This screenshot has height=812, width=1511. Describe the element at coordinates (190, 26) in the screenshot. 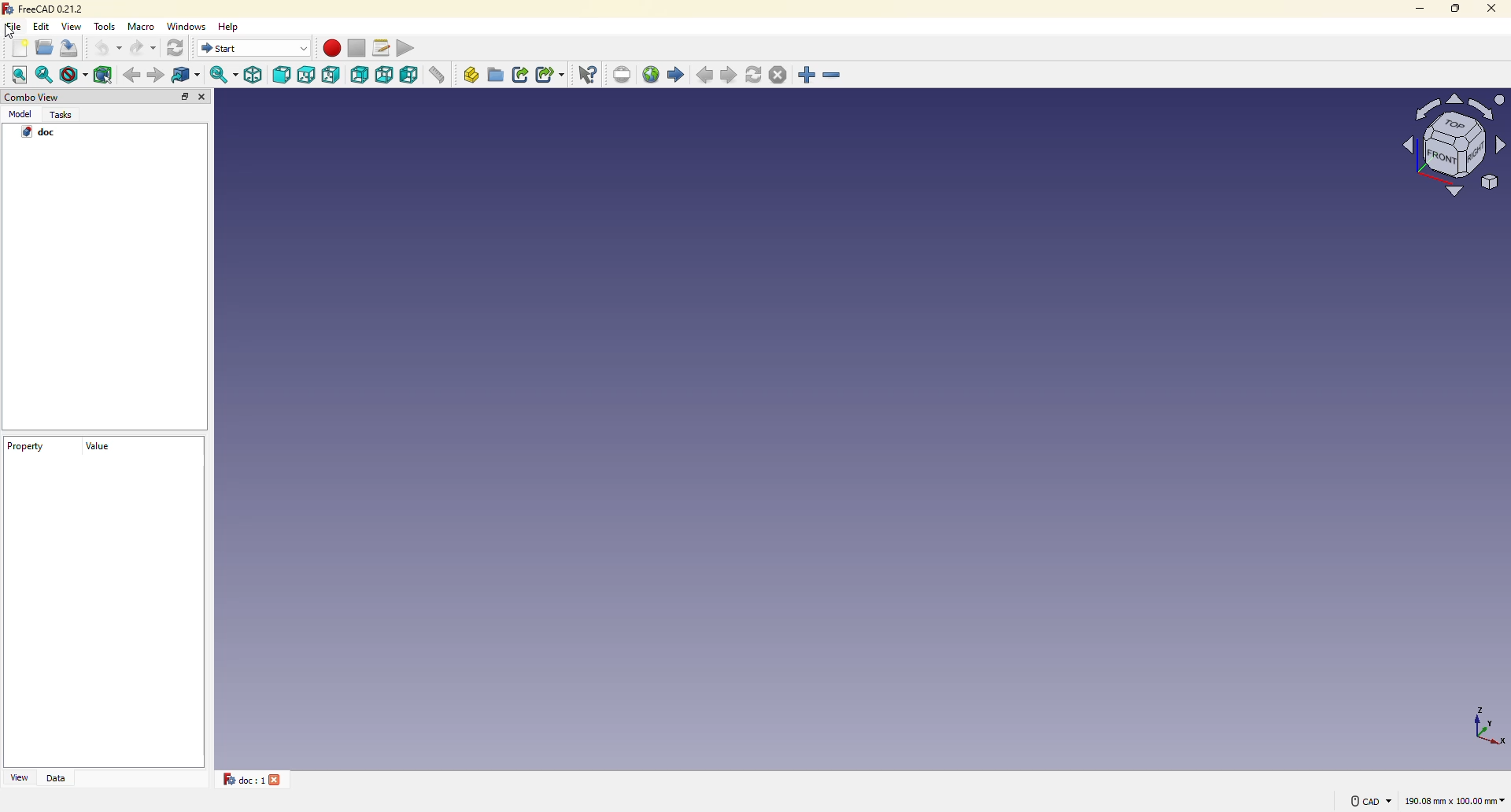

I see `windows` at that location.